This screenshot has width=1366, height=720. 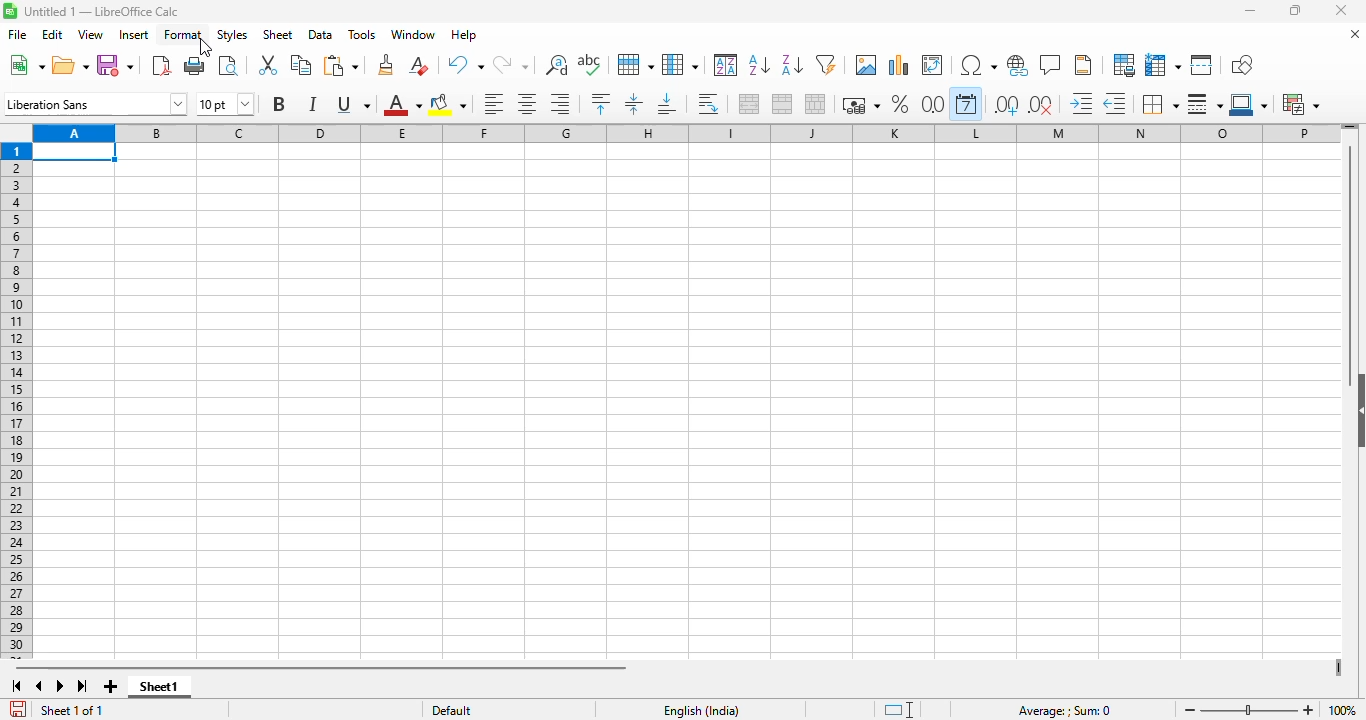 I want to click on add new sheet, so click(x=111, y=687).